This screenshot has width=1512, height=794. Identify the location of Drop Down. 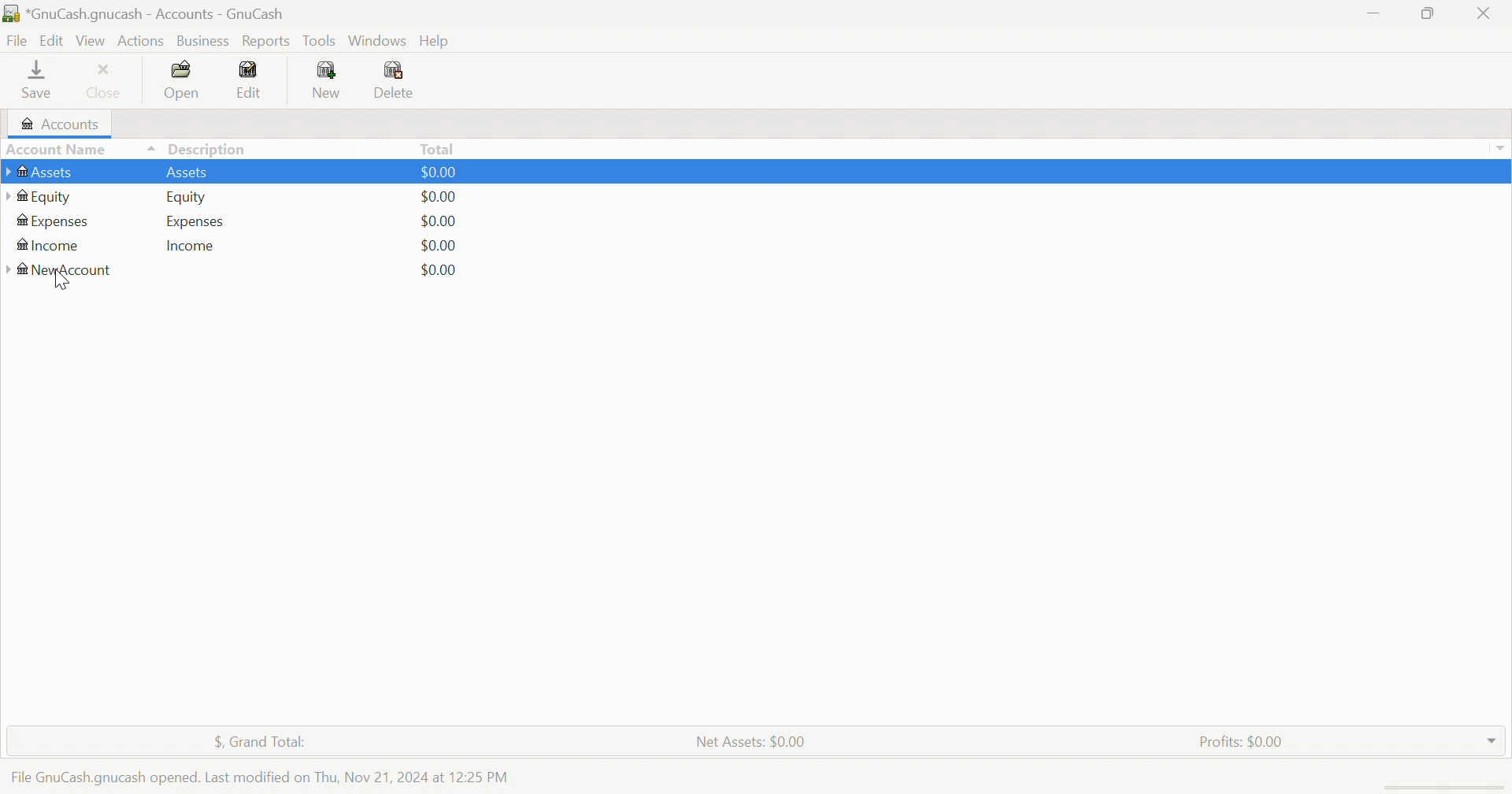
(1492, 736).